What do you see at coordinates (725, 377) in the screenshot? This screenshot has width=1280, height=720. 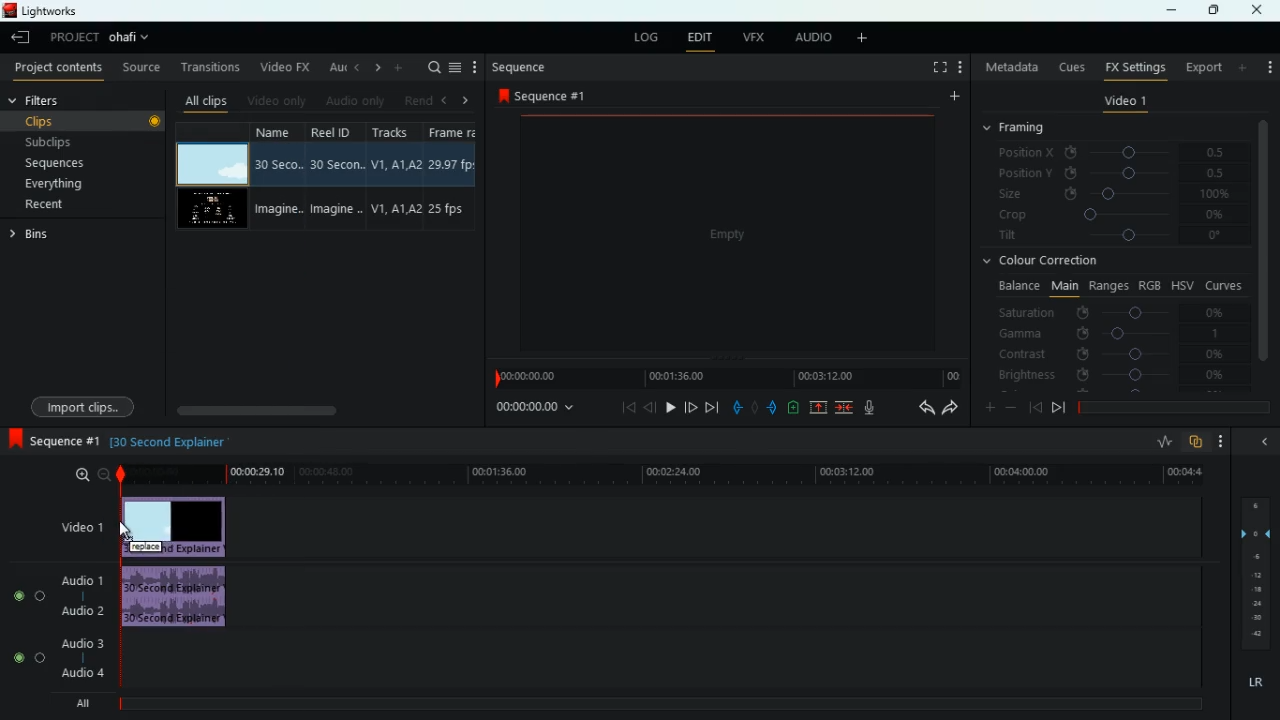 I see `timeline` at bounding box center [725, 377].